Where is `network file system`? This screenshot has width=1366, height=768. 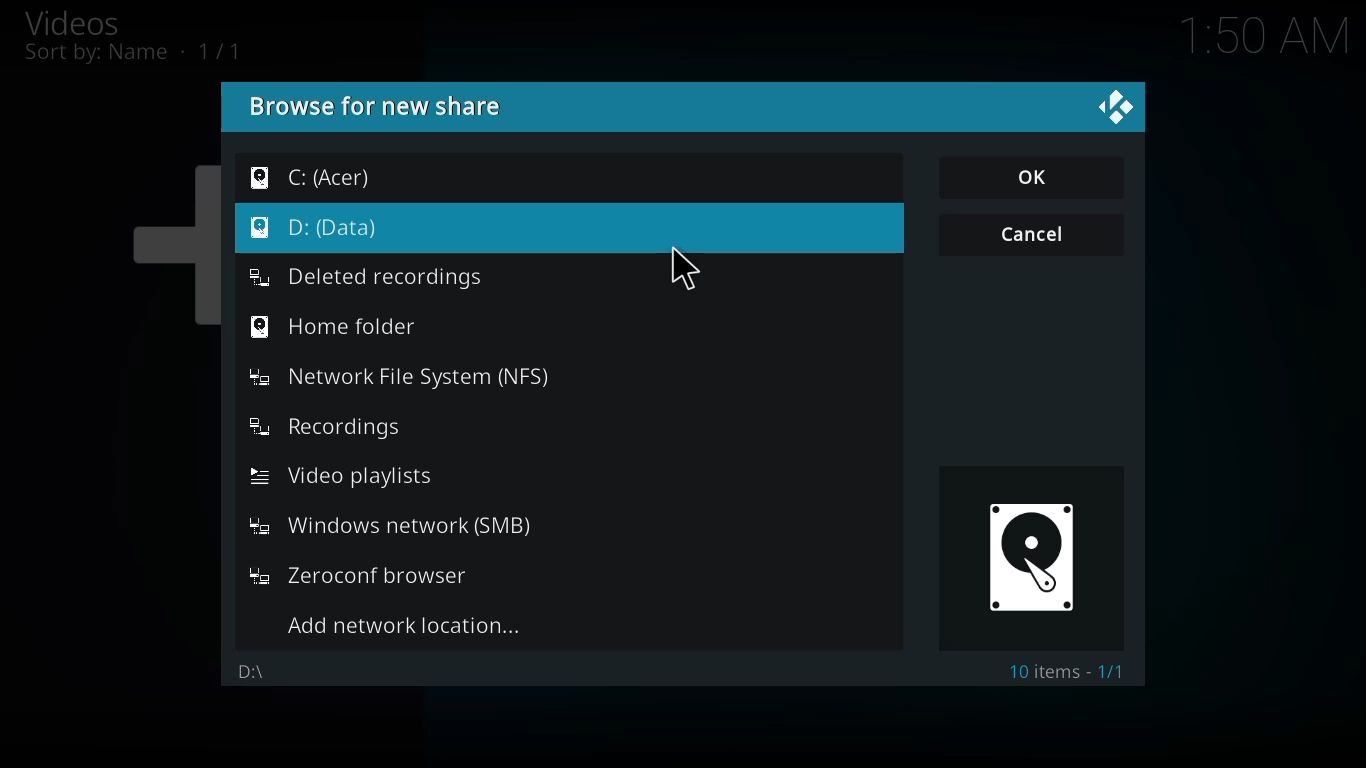 network file system is located at coordinates (404, 377).